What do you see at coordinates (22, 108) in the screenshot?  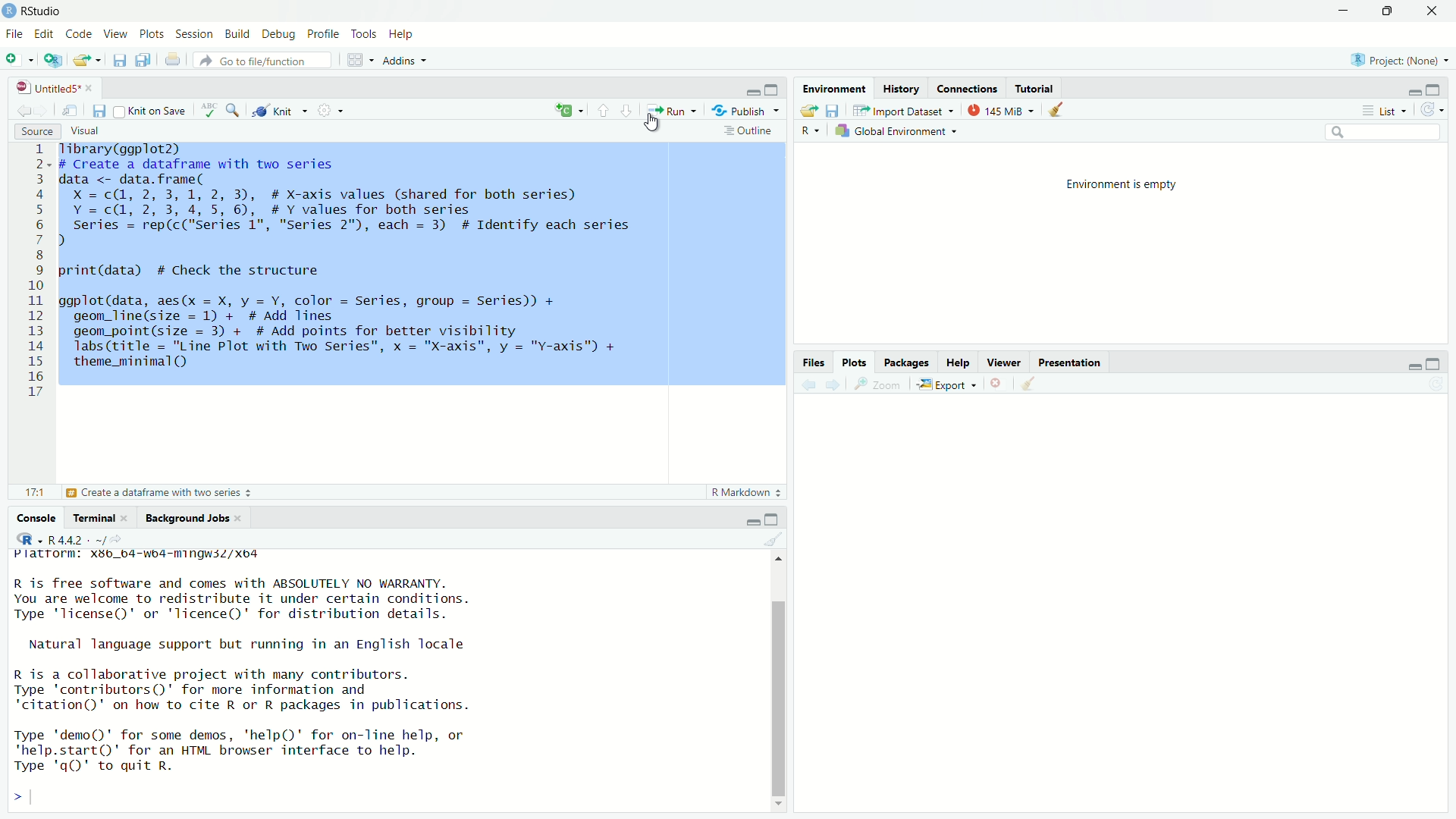 I see `Go back to the previous source selection` at bounding box center [22, 108].